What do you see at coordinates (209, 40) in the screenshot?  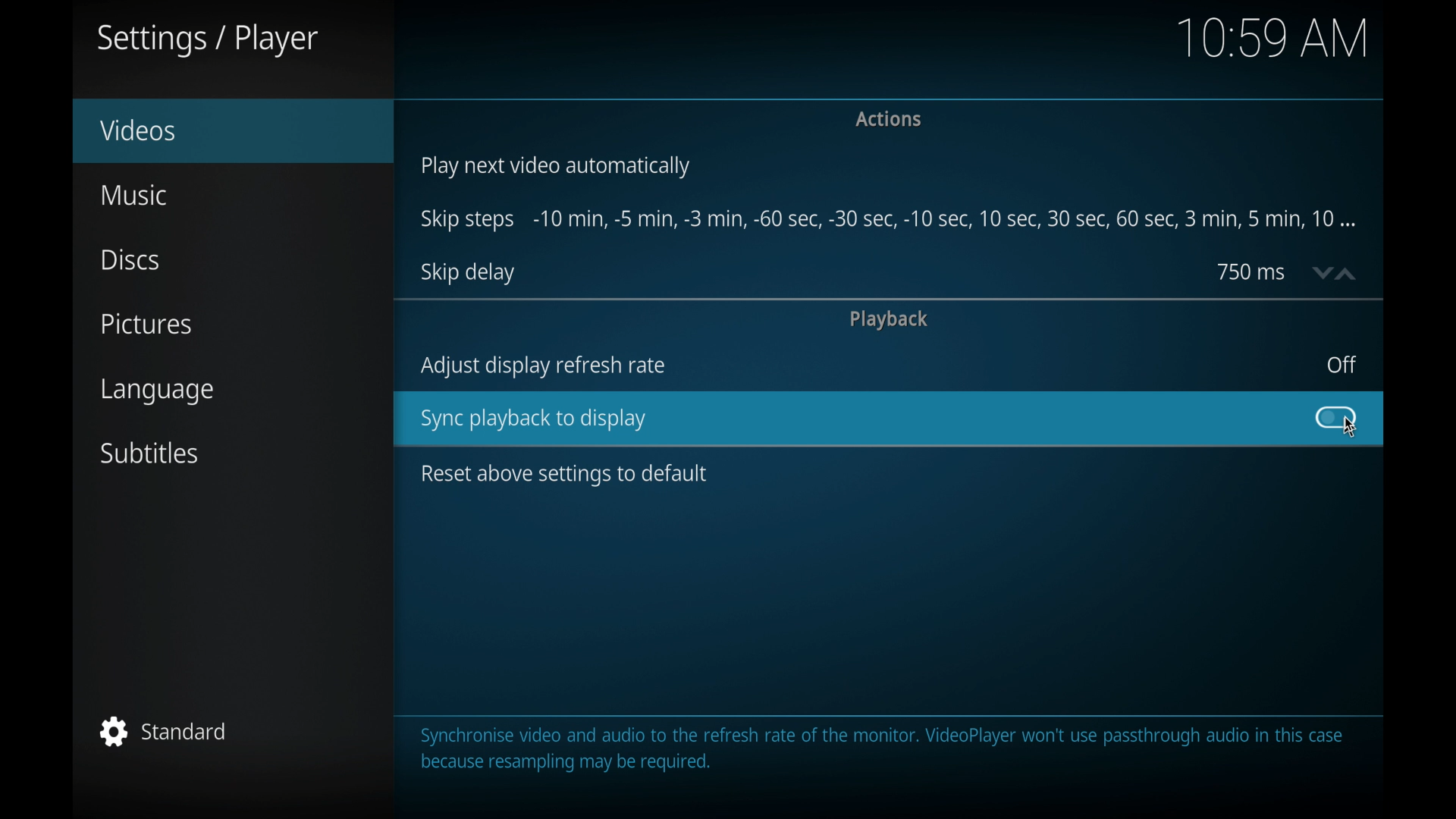 I see `settings/player` at bounding box center [209, 40].